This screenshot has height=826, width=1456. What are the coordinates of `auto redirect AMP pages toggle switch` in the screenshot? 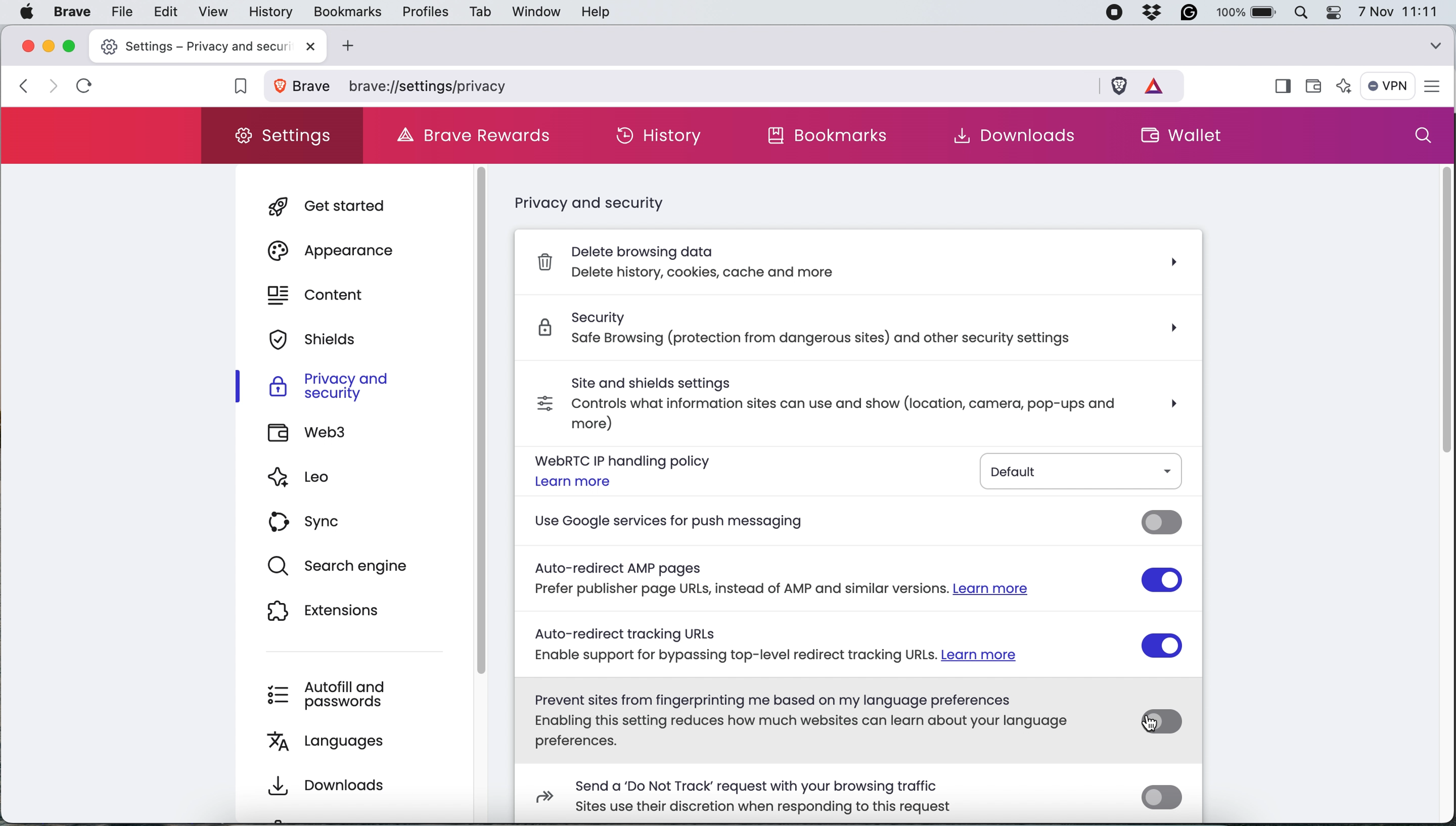 It's located at (1162, 580).